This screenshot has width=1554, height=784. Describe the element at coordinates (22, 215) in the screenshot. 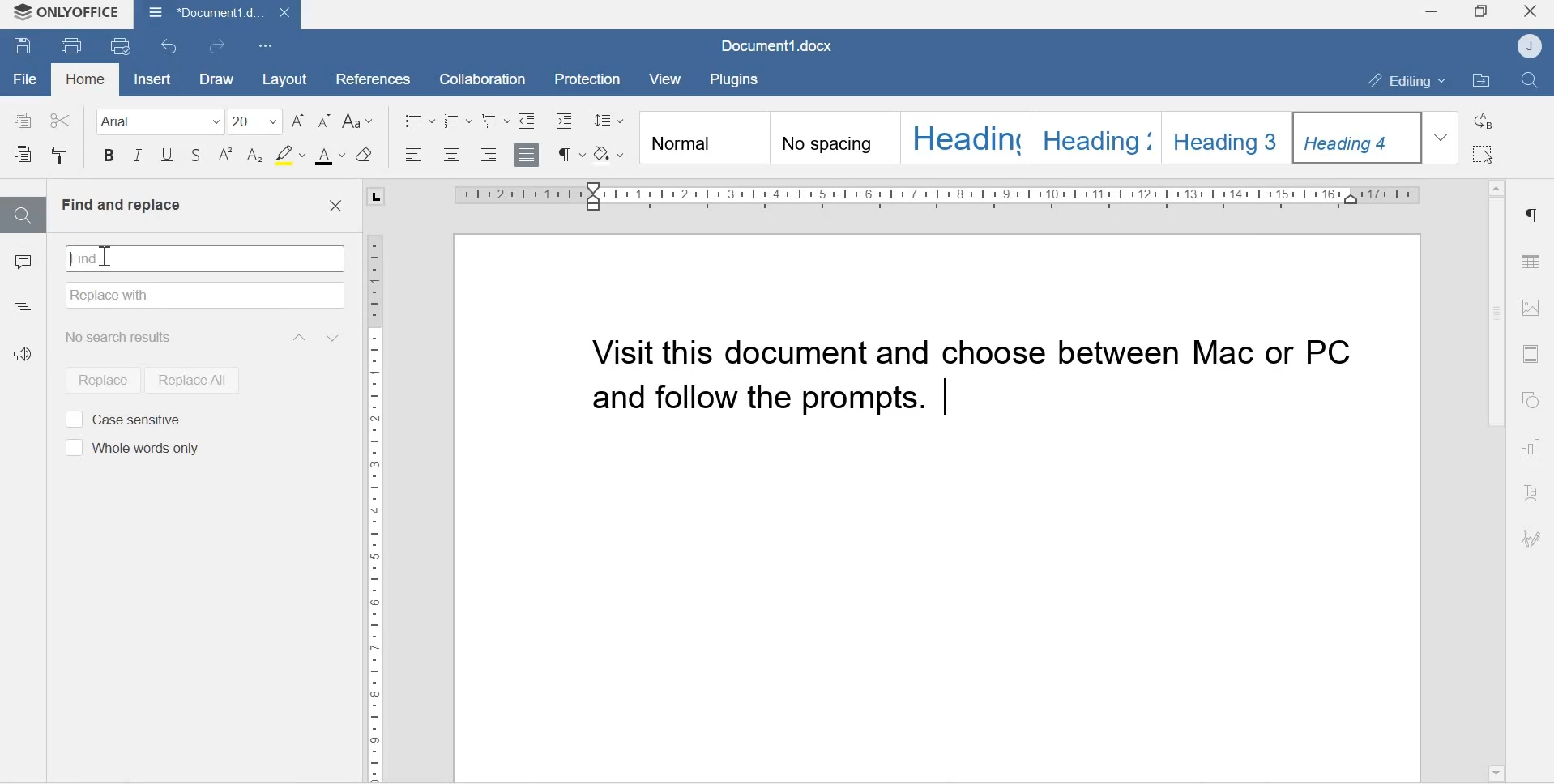

I see `Find` at that location.